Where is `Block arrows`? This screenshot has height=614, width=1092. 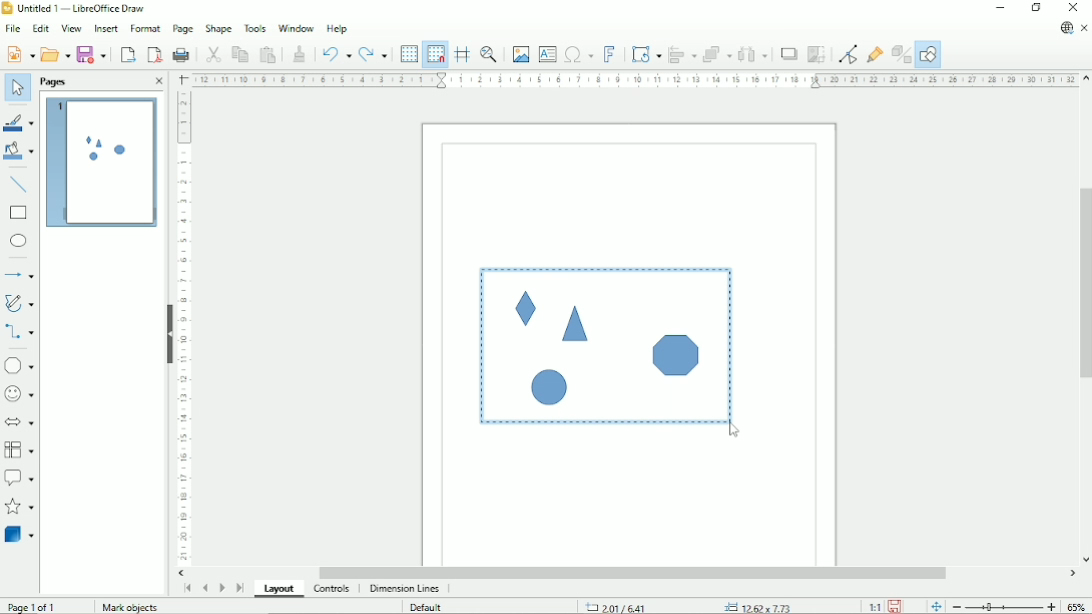 Block arrows is located at coordinates (21, 423).